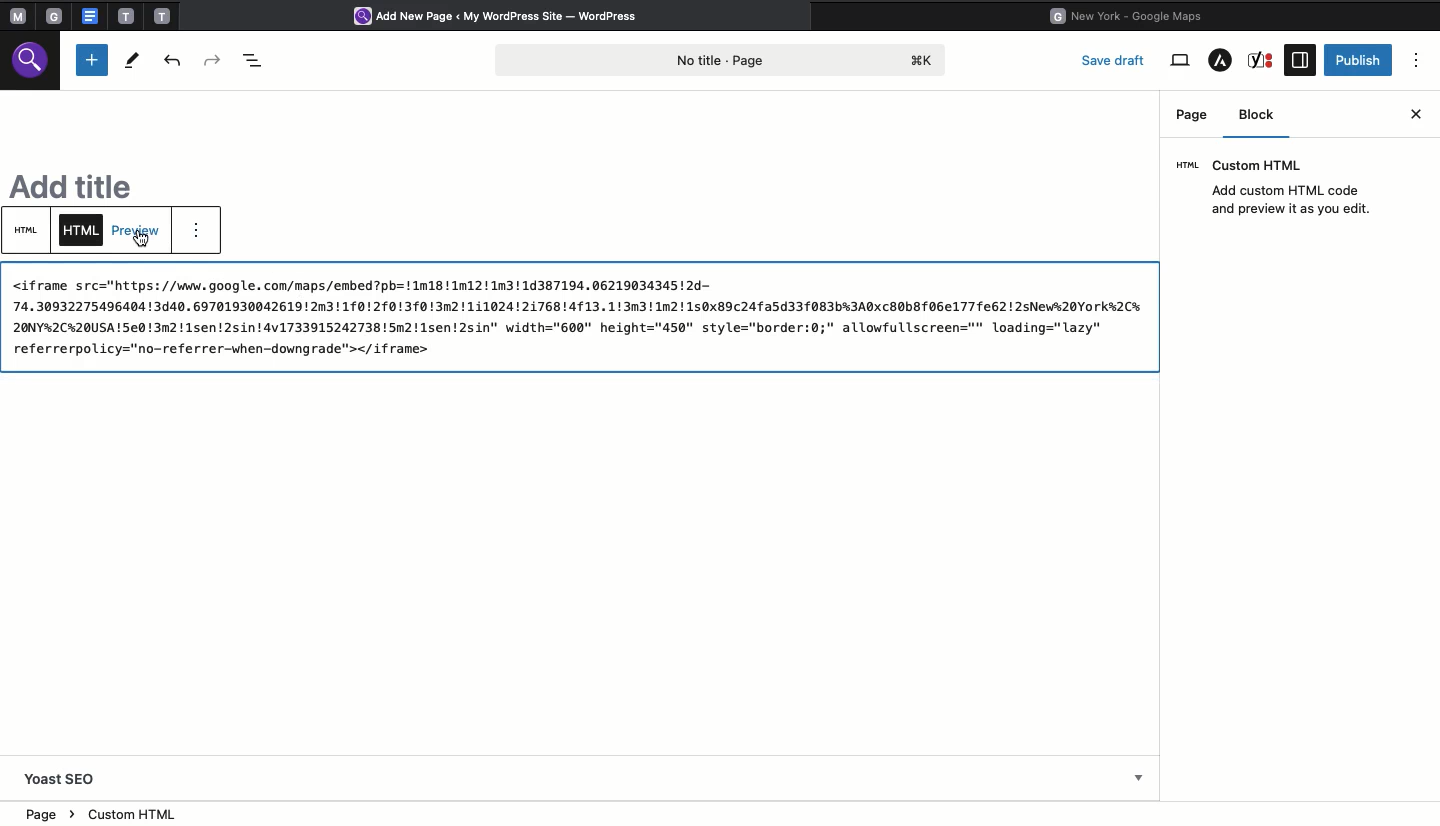 This screenshot has width=1440, height=826. I want to click on Yoast, so click(1263, 60).